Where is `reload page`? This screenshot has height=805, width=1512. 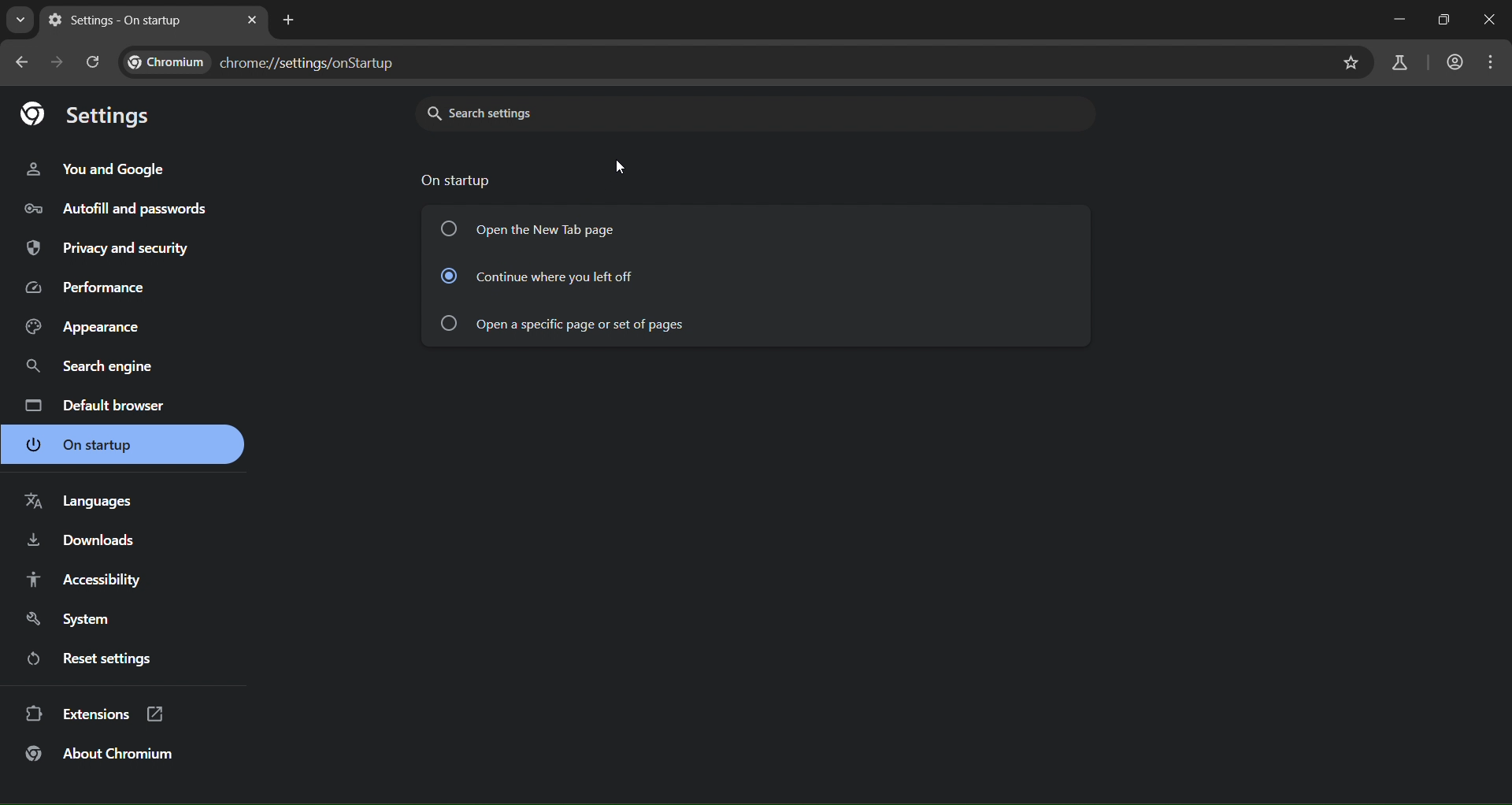
reload page is located at coordinates (94, 61).